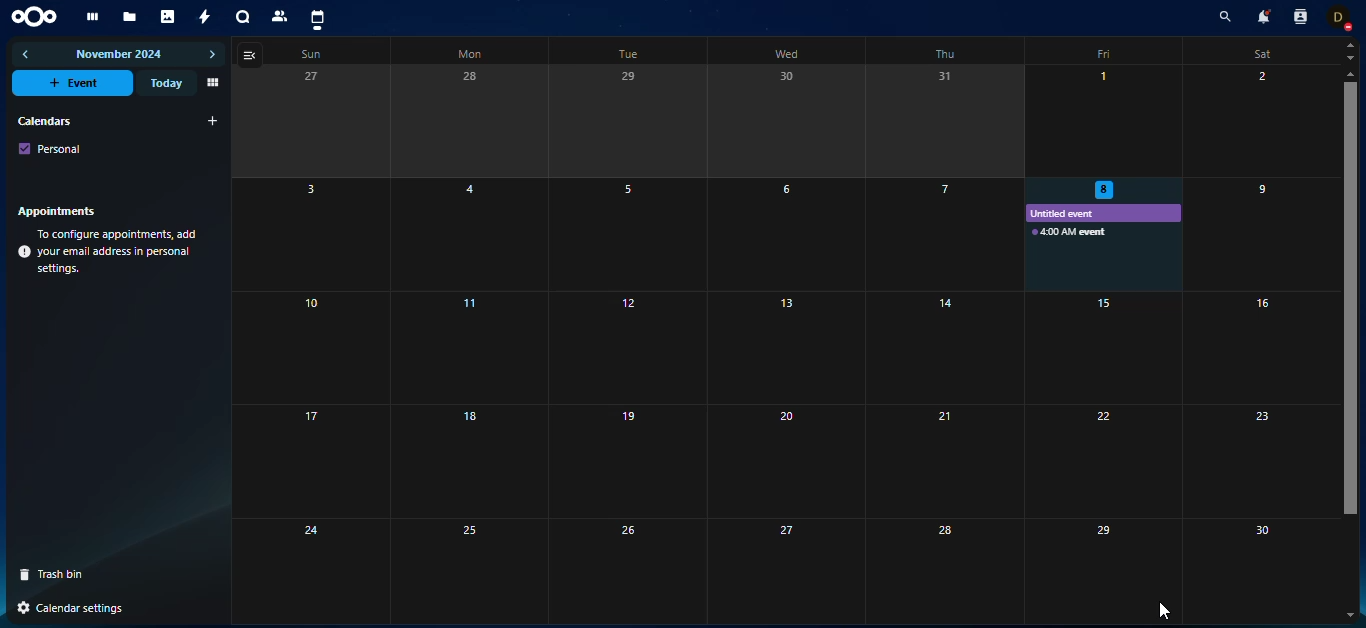 The image size is (1366, 628). I want to click on add, so click(213, 121).